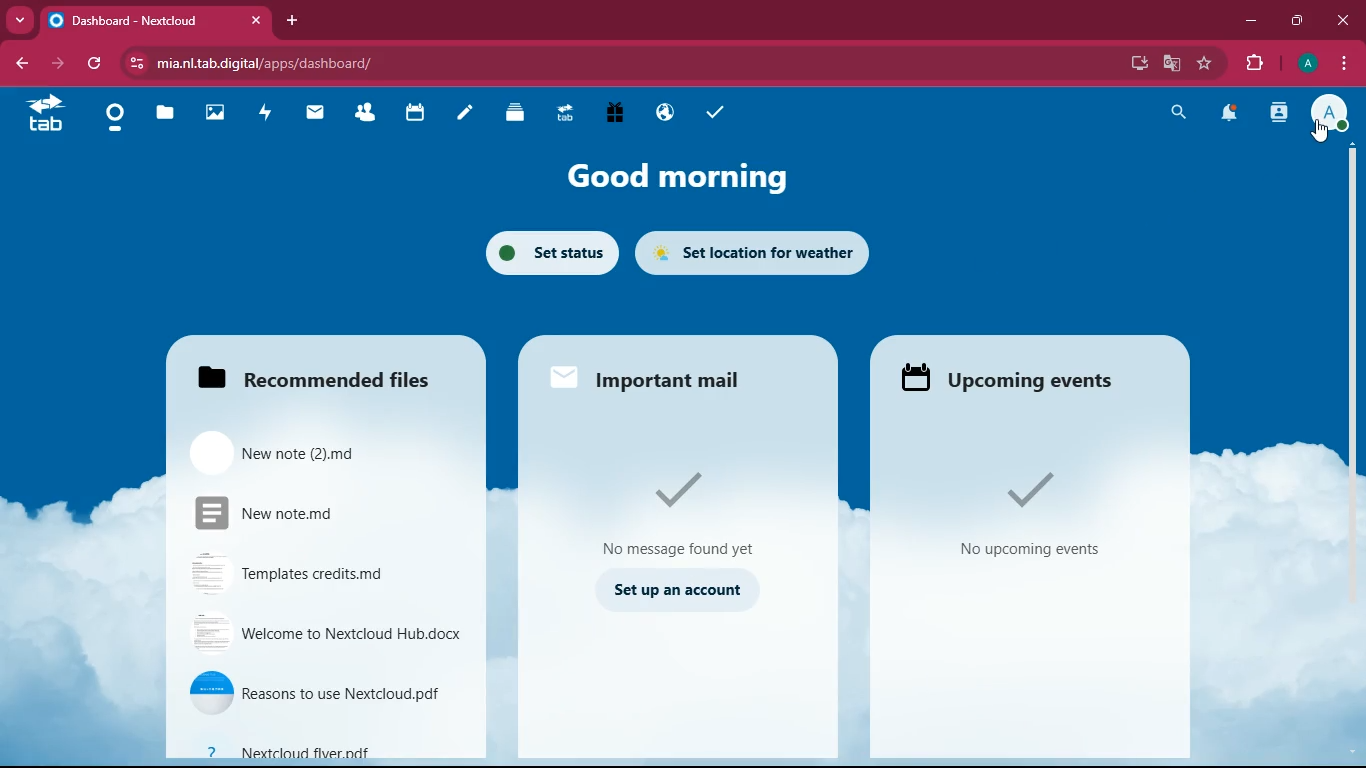 Image resolution: width=1366 pixels, height=768 pixels. What do you see at coordinates (1333, 114) in the screenshot?
I see `profile` at bounding box center [1333, 114].